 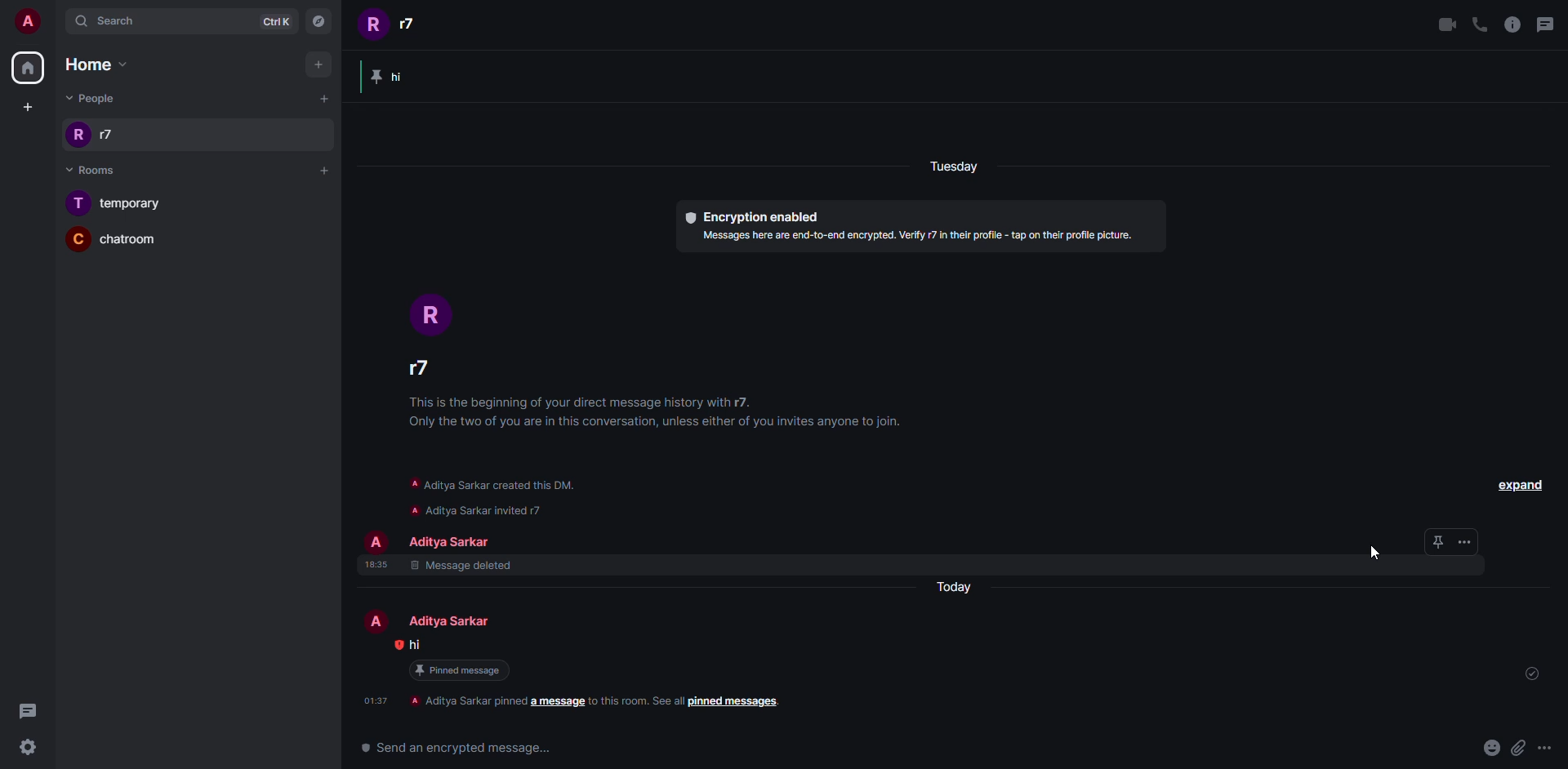 I want to click on profile, so click(x=379, y=620).